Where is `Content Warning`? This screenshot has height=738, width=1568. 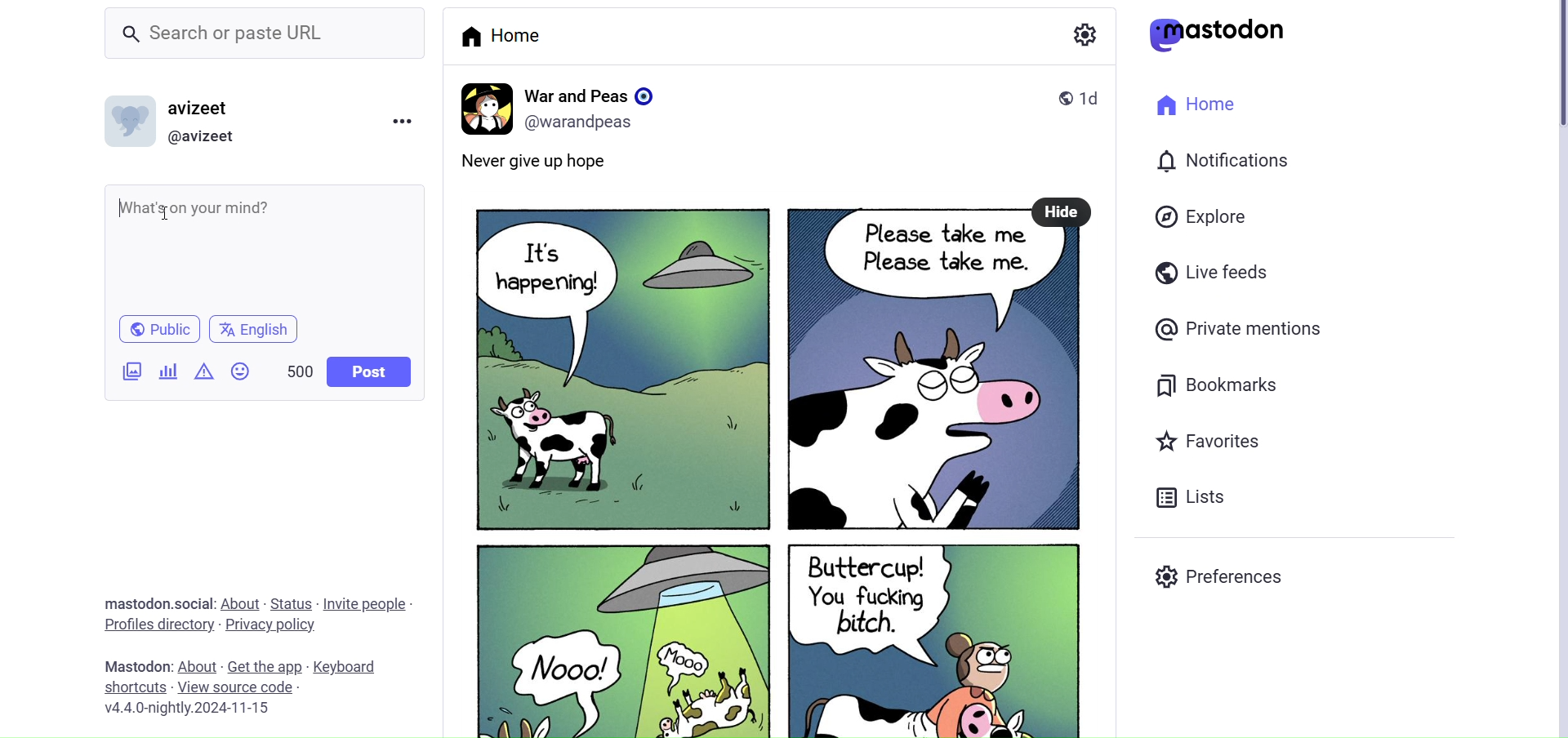
Content Warning is located at coordinates (200, 371).